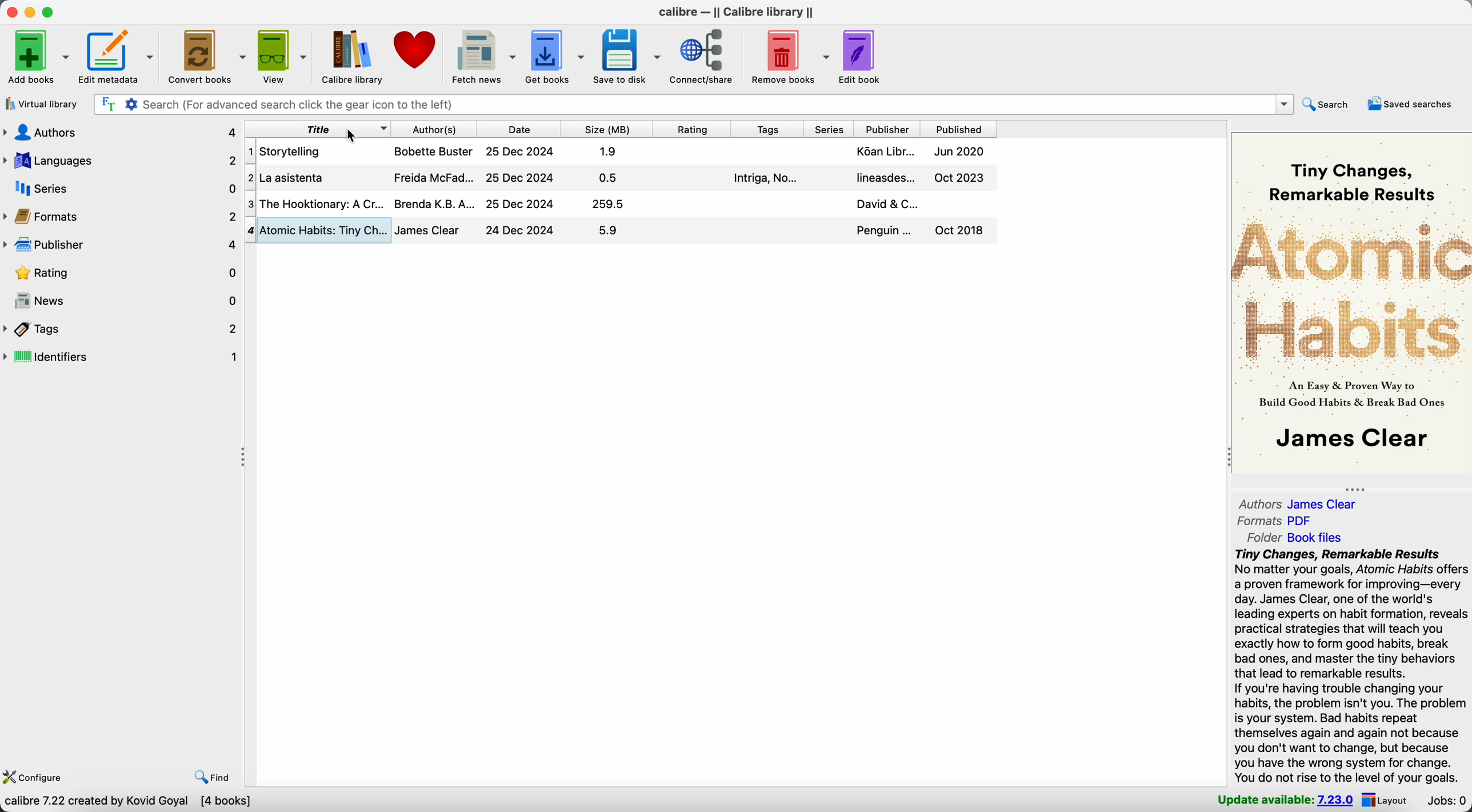 The image size is (1472, 812). What do you see at coordinates (607, 230) in the screenshot?
I see `5.9` at bounding box center [607, 230].